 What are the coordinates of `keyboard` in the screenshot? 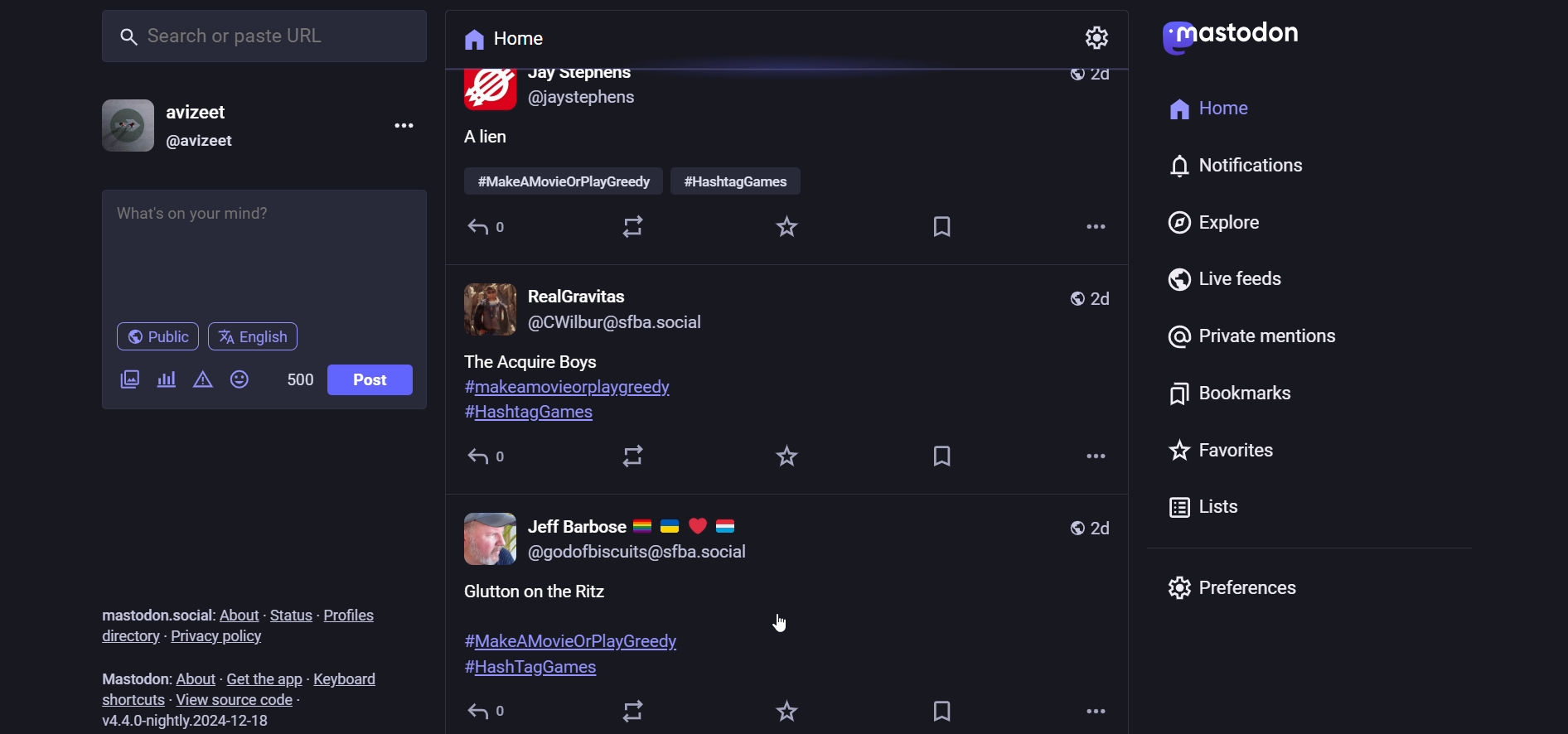 It's located at (346, 678).